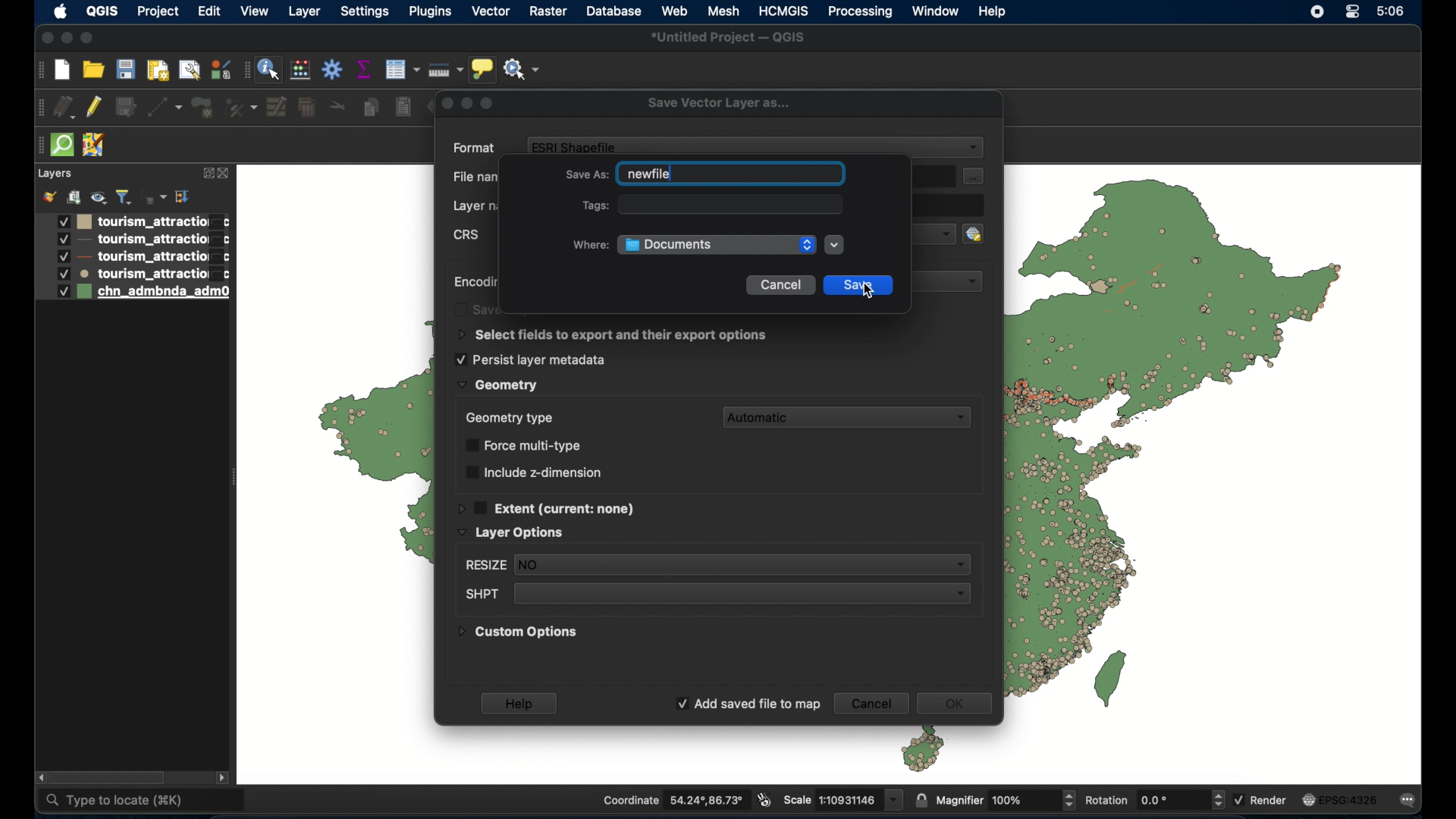 The height and width of the screenshot is (819, 1456). Describe the element at coordinates (446, 68) in the screenshot. I see `measure line` at that location.